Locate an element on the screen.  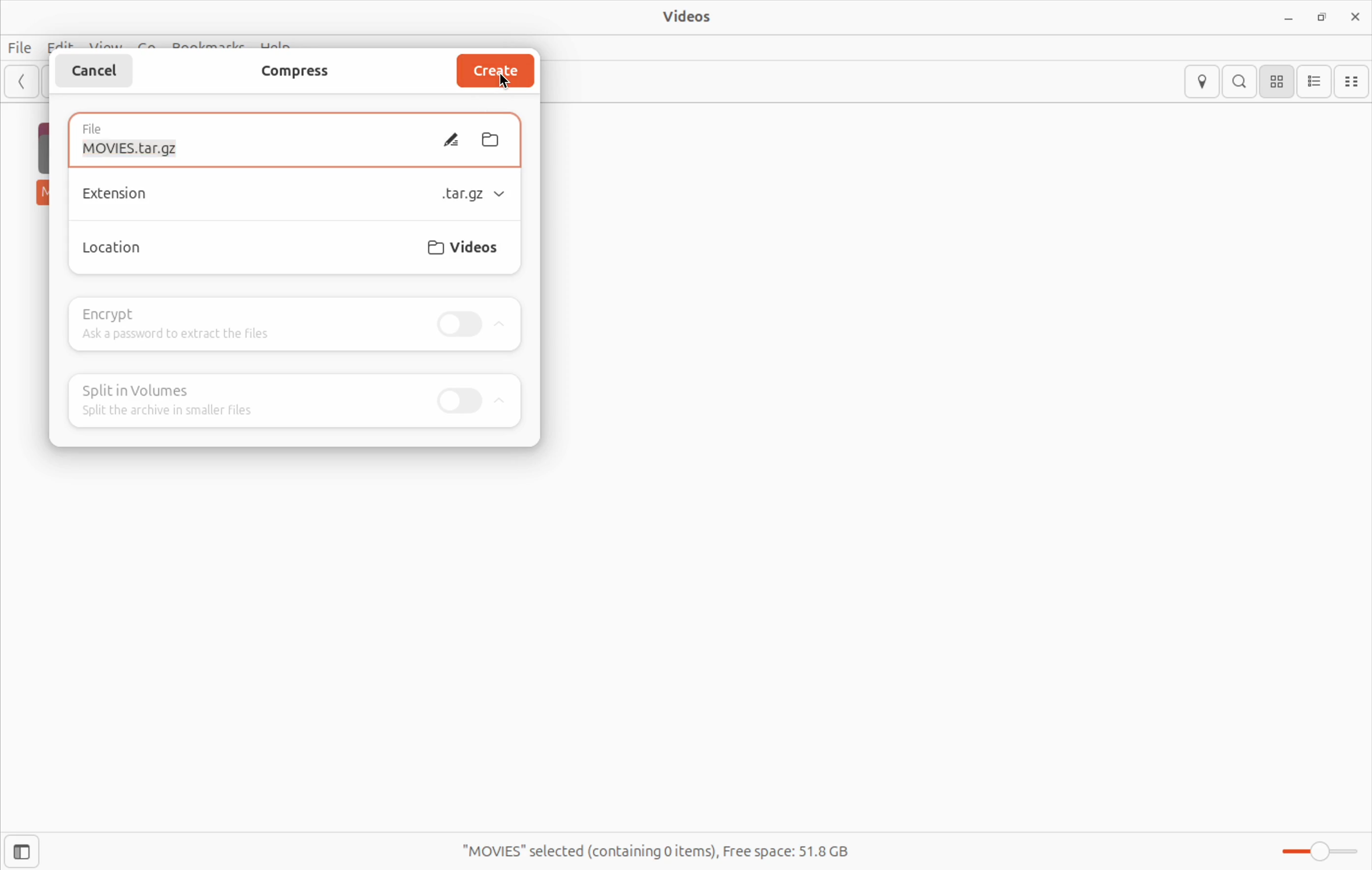
create is located at coordinates (497, 70).